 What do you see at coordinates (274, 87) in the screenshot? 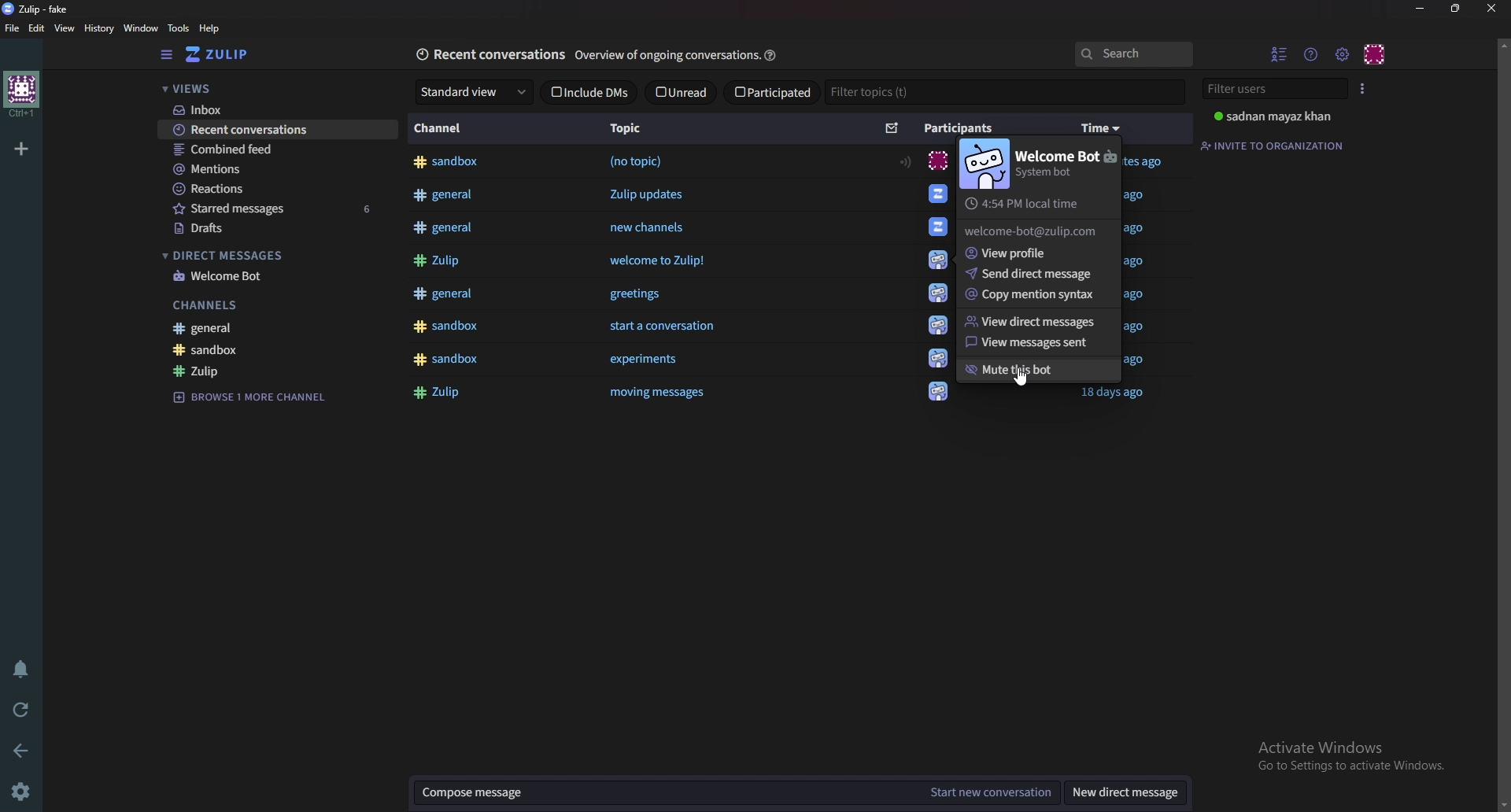
I see `Views` at bounding box center [274, 87].